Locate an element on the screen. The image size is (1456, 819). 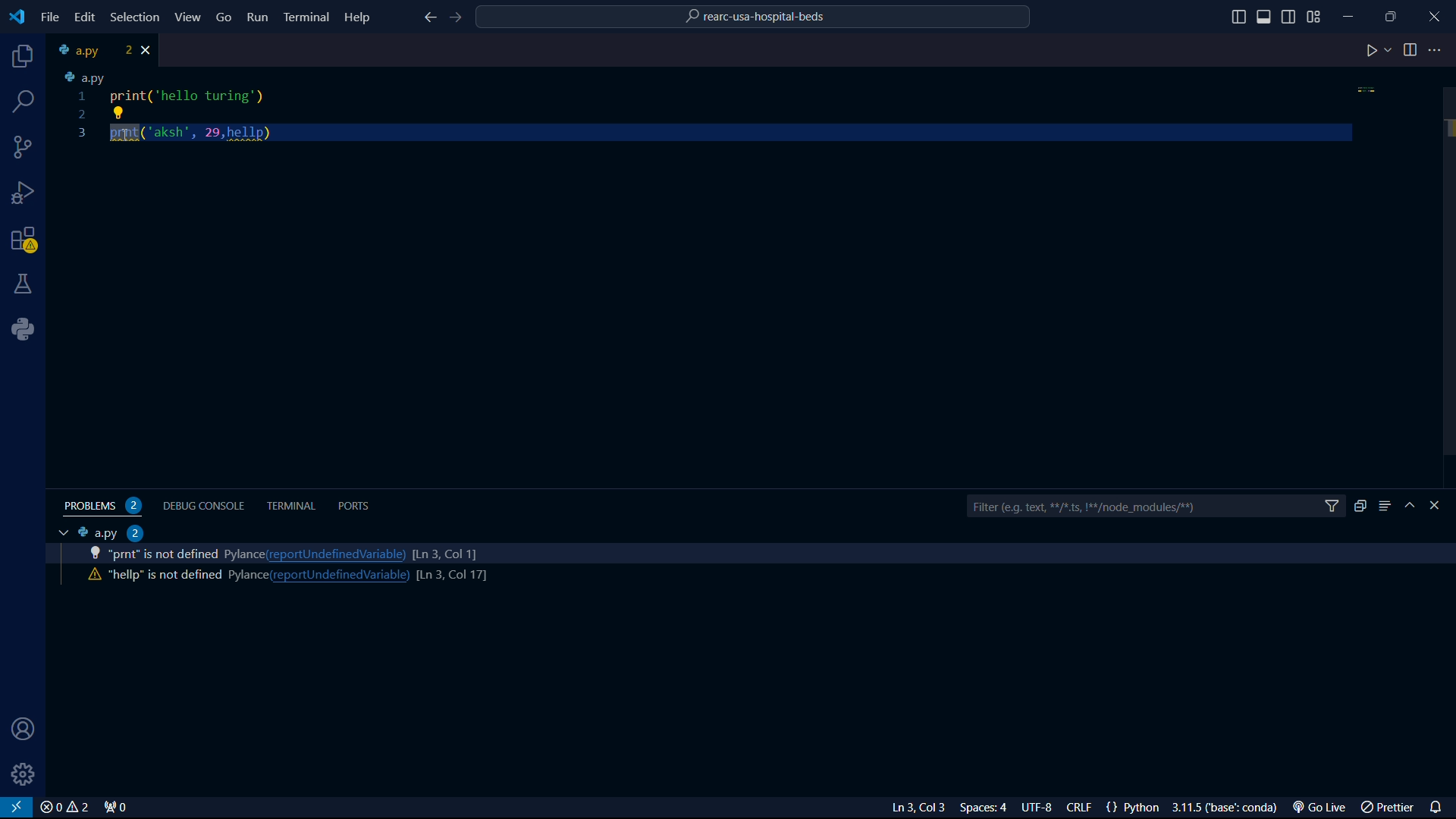
toggle sidebar is located at coordinates (1266, 17).